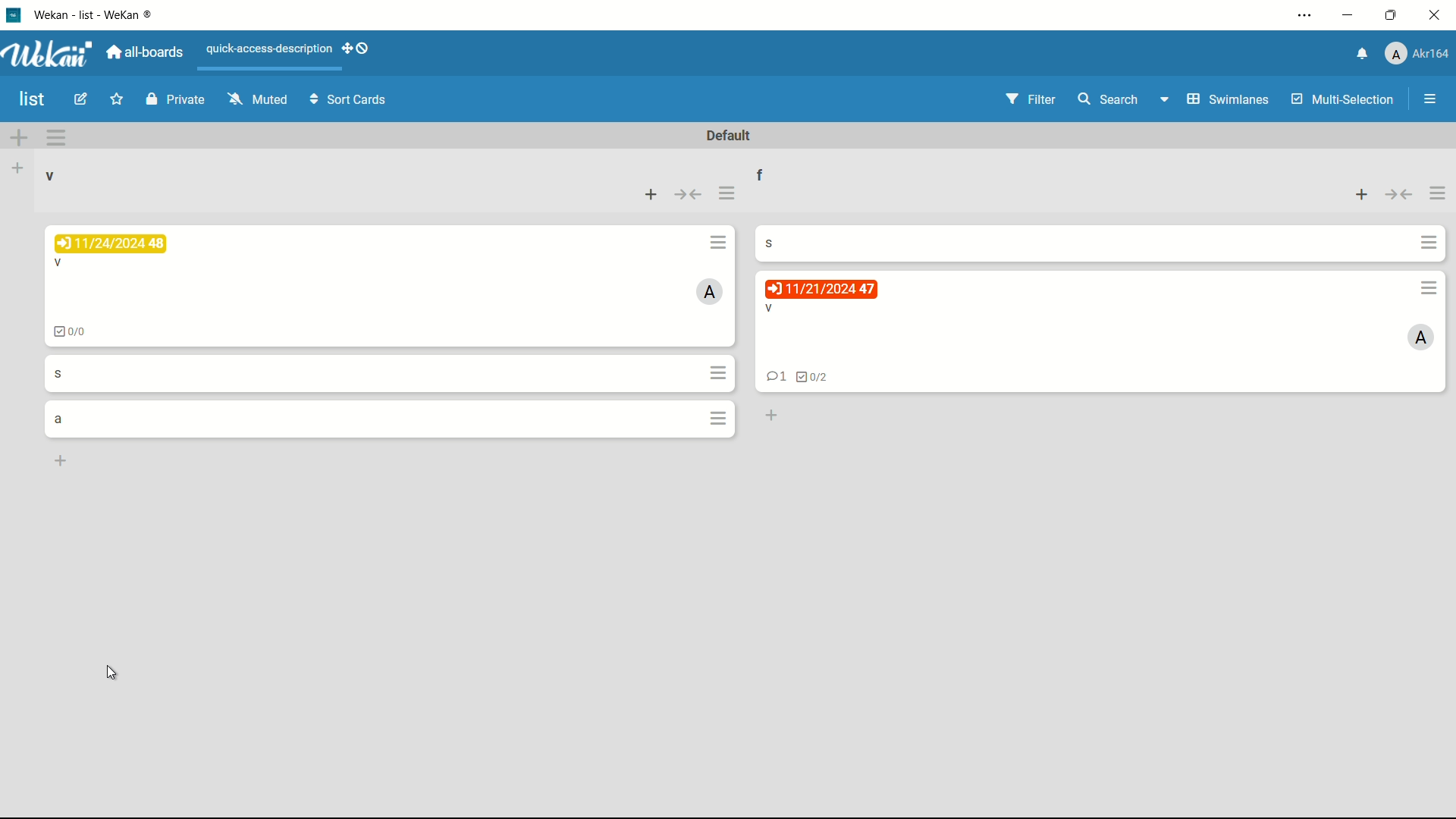 This screenshot has width=1456, height=819. What do you see at coordinates (1216, 99) in the screenshot?
I see `swimlanes` at bounding box center [1216, 99].